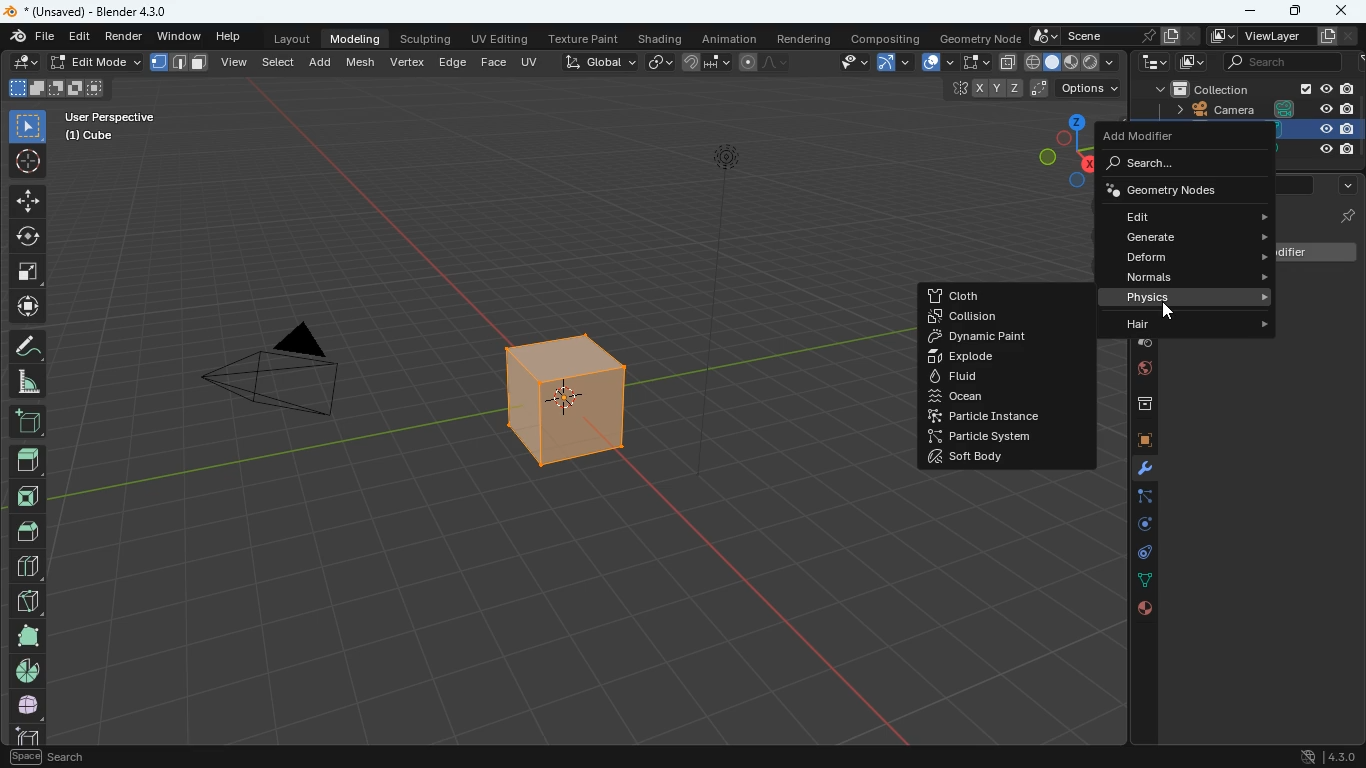  I want to click on world, so click(1139, 371).